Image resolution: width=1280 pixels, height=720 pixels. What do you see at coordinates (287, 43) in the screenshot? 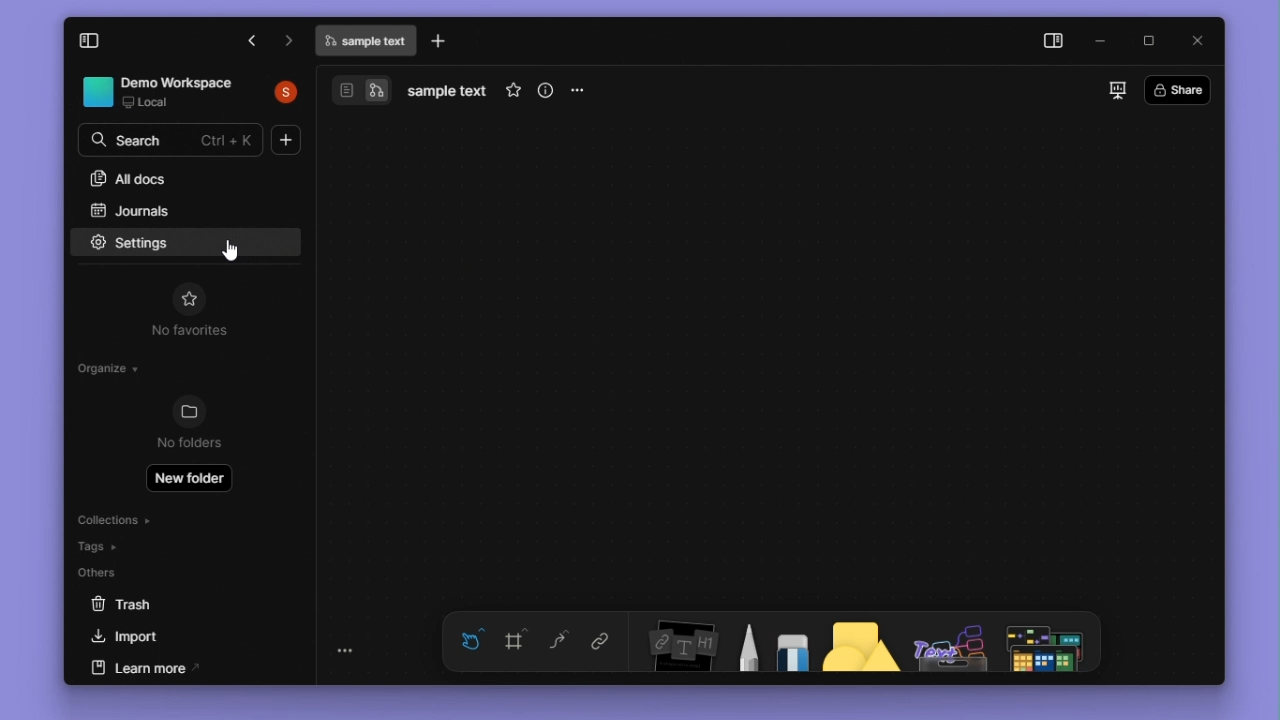
I see `go forward` at bounding box center [287, 43].